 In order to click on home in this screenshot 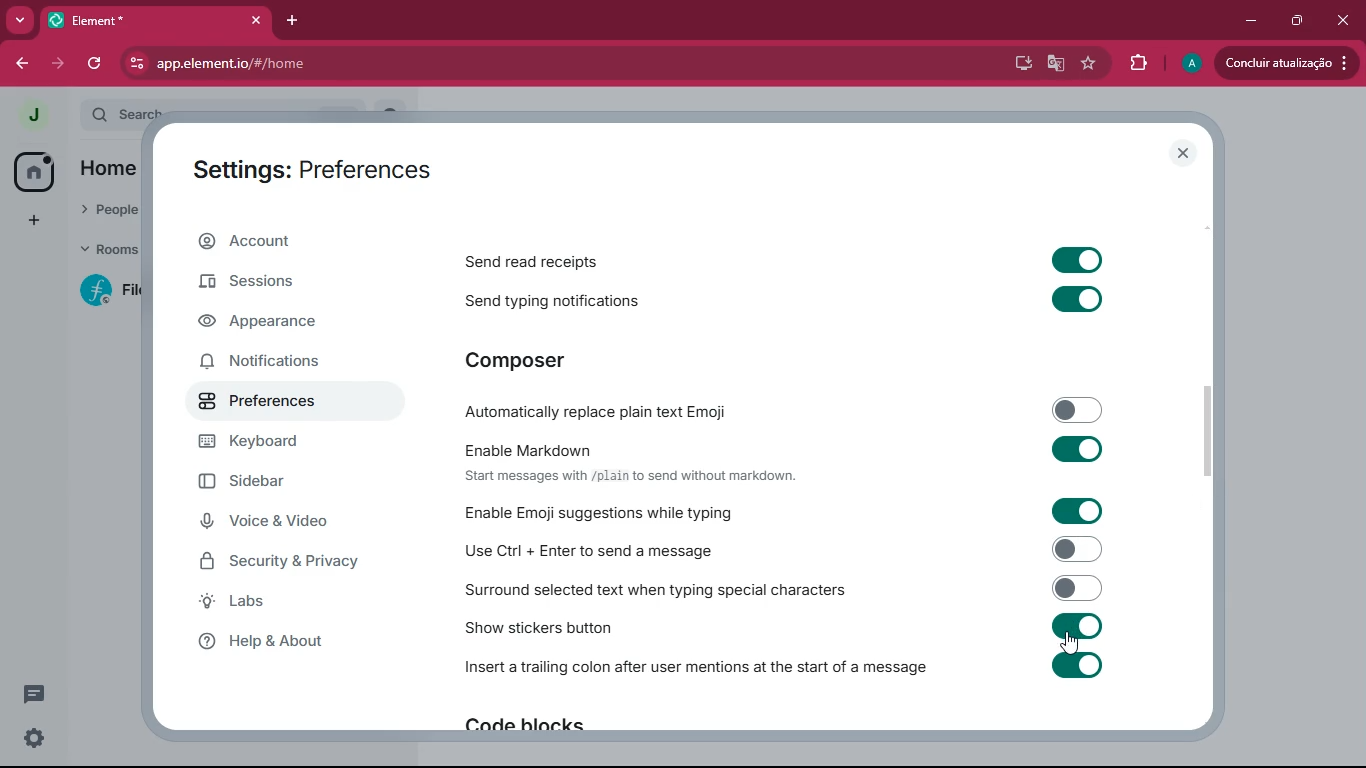, I will do `click(114, 171)`.